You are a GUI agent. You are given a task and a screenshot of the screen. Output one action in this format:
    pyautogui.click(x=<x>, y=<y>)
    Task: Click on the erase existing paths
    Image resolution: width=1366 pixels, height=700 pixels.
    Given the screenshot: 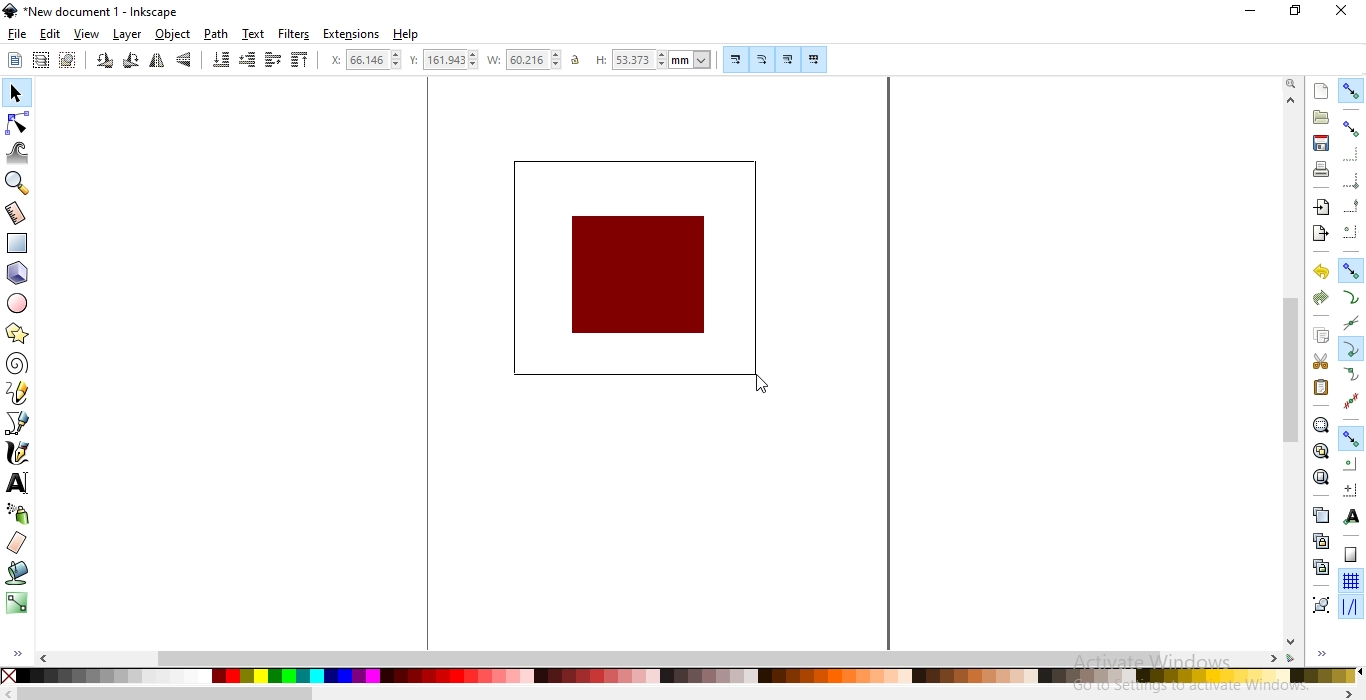 What is the action you would take?
    pyautogui.click(x=17, y=544)
    